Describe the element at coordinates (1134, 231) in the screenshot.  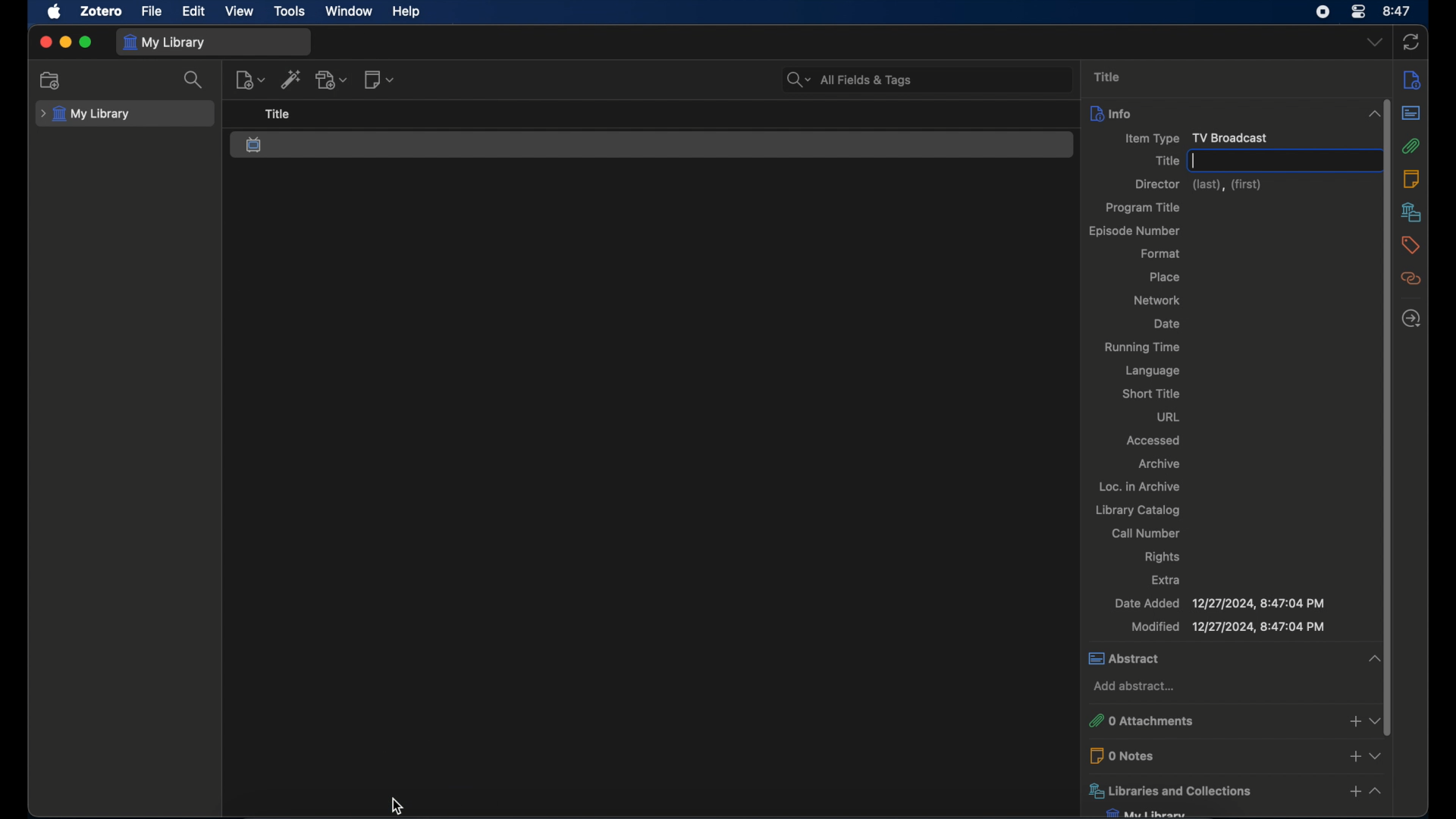
I see `episode number` at that location.